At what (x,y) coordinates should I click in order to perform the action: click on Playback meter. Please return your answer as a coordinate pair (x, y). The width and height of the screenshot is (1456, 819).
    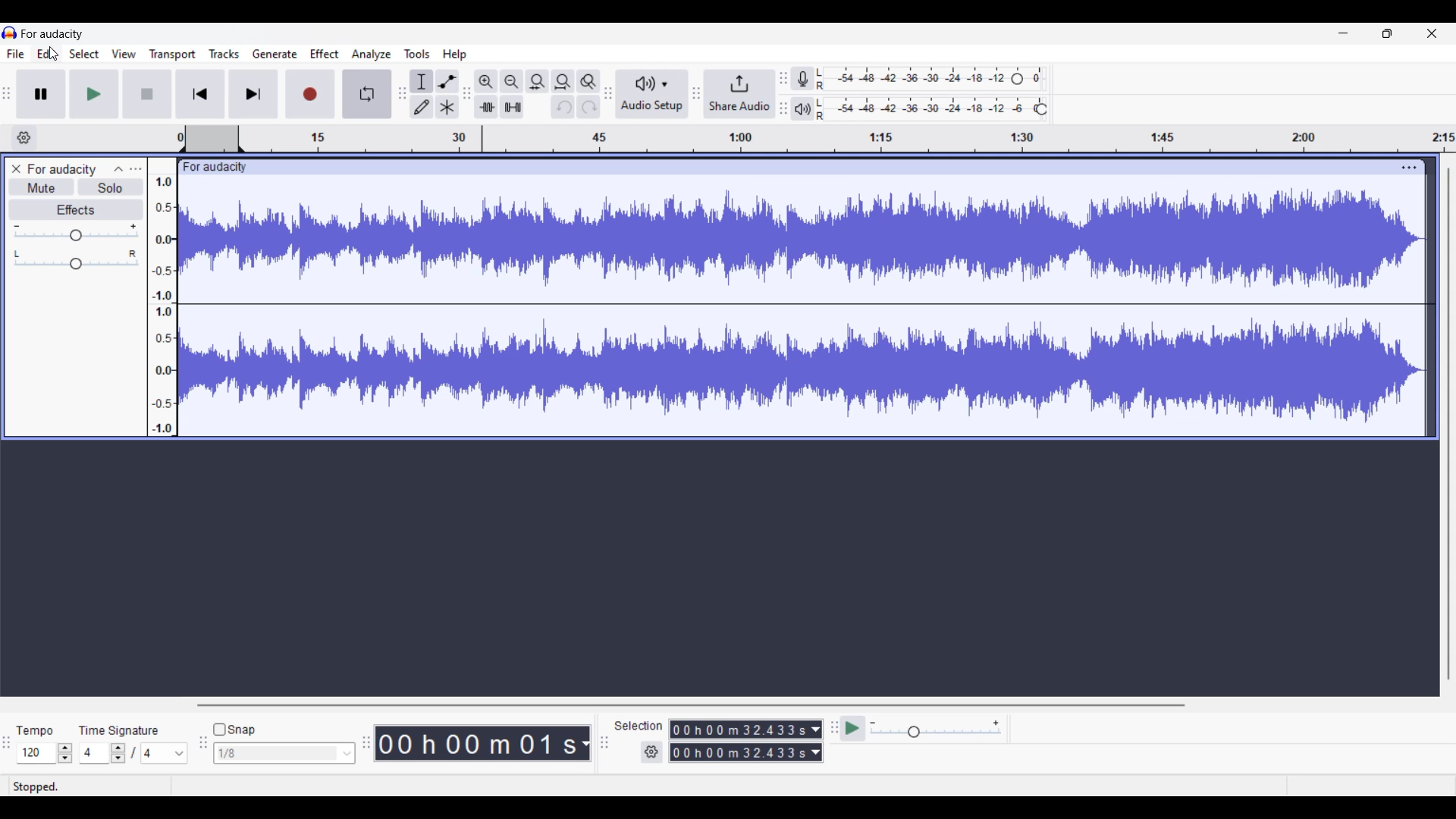
    Looking at the image, I should click on (802, 108).